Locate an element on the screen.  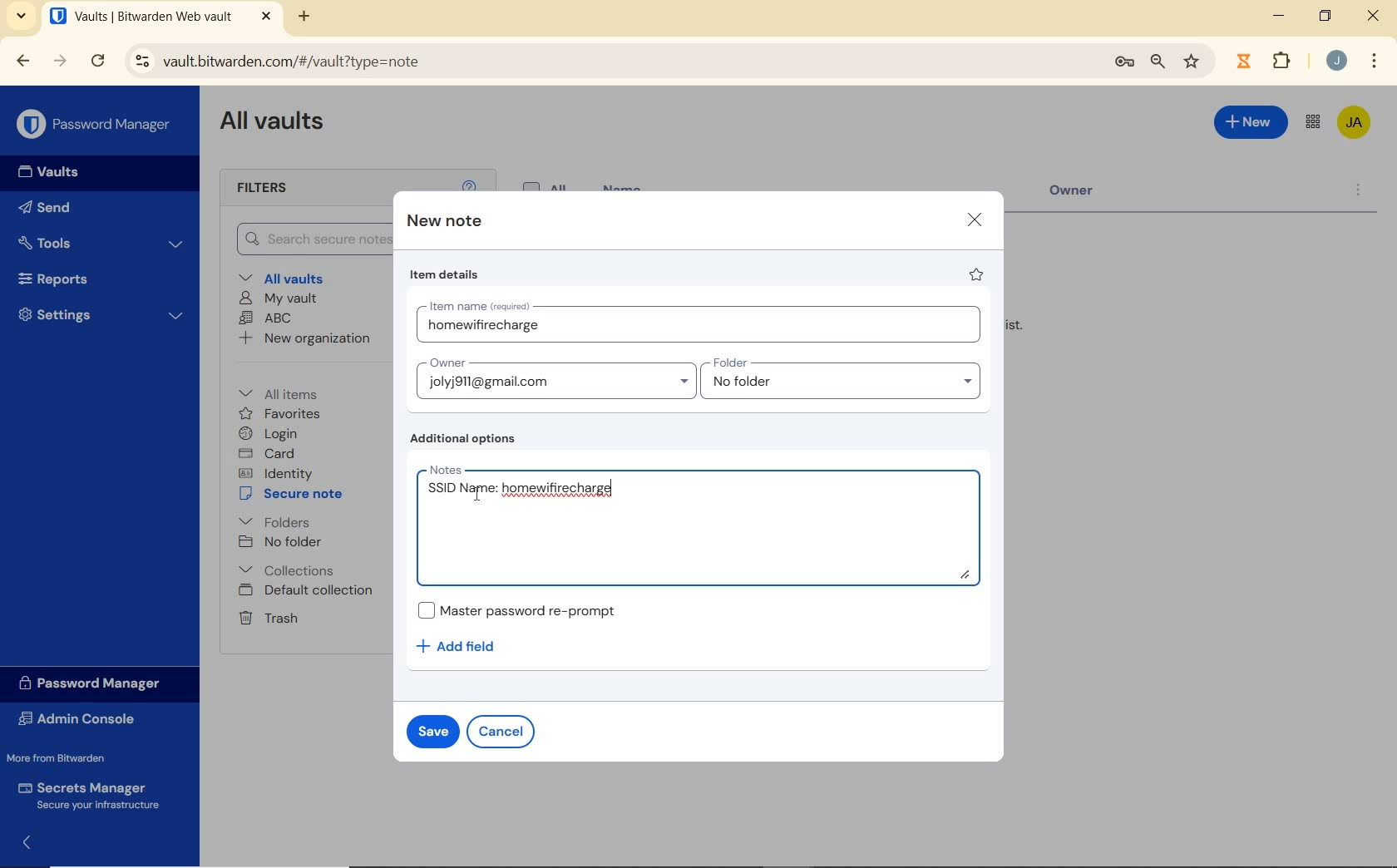
item details is located at coordinates (447, 274).